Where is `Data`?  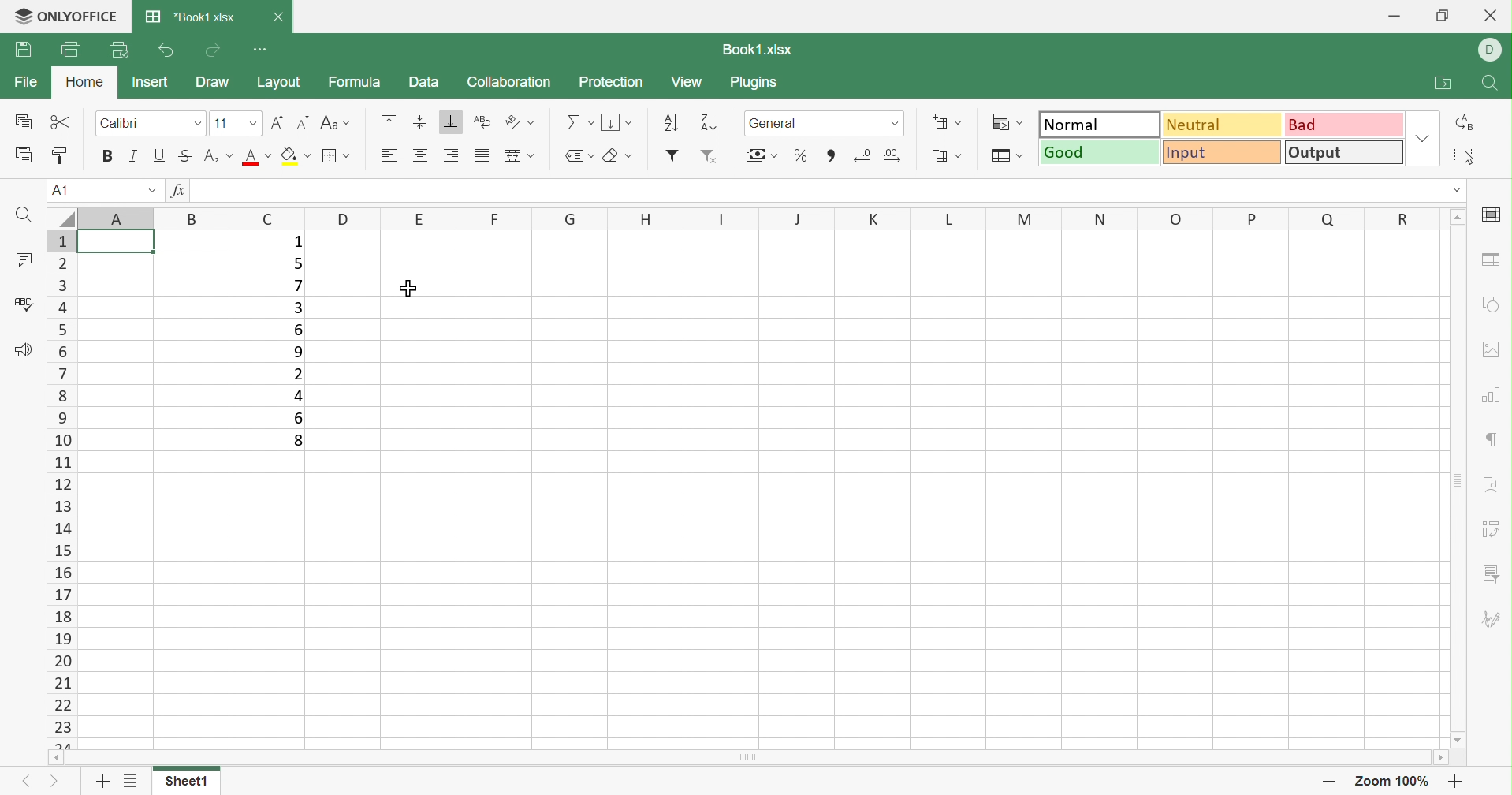 Data is located at coordinates (427, 82).